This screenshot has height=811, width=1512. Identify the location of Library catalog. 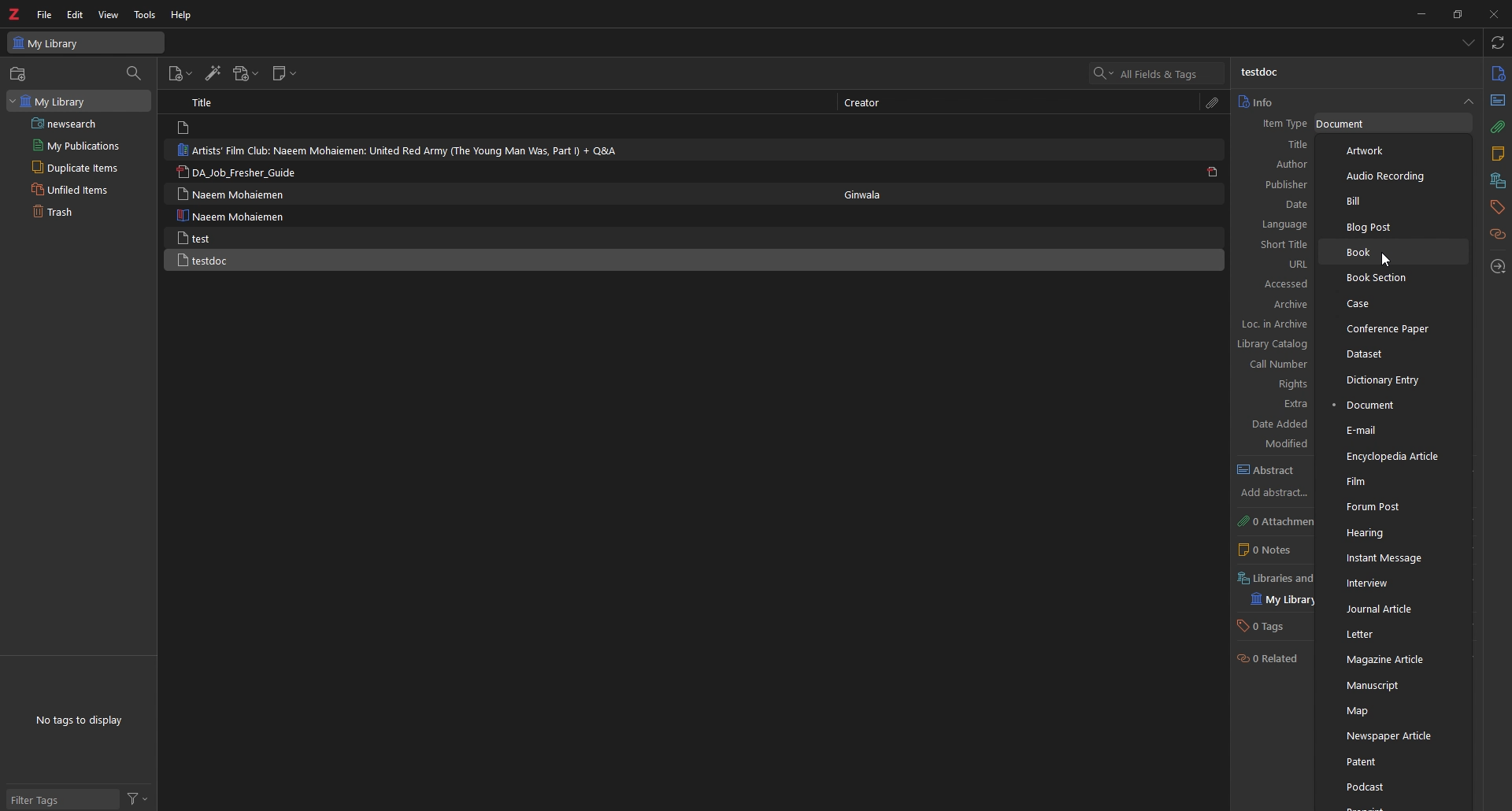
(1274, 344).